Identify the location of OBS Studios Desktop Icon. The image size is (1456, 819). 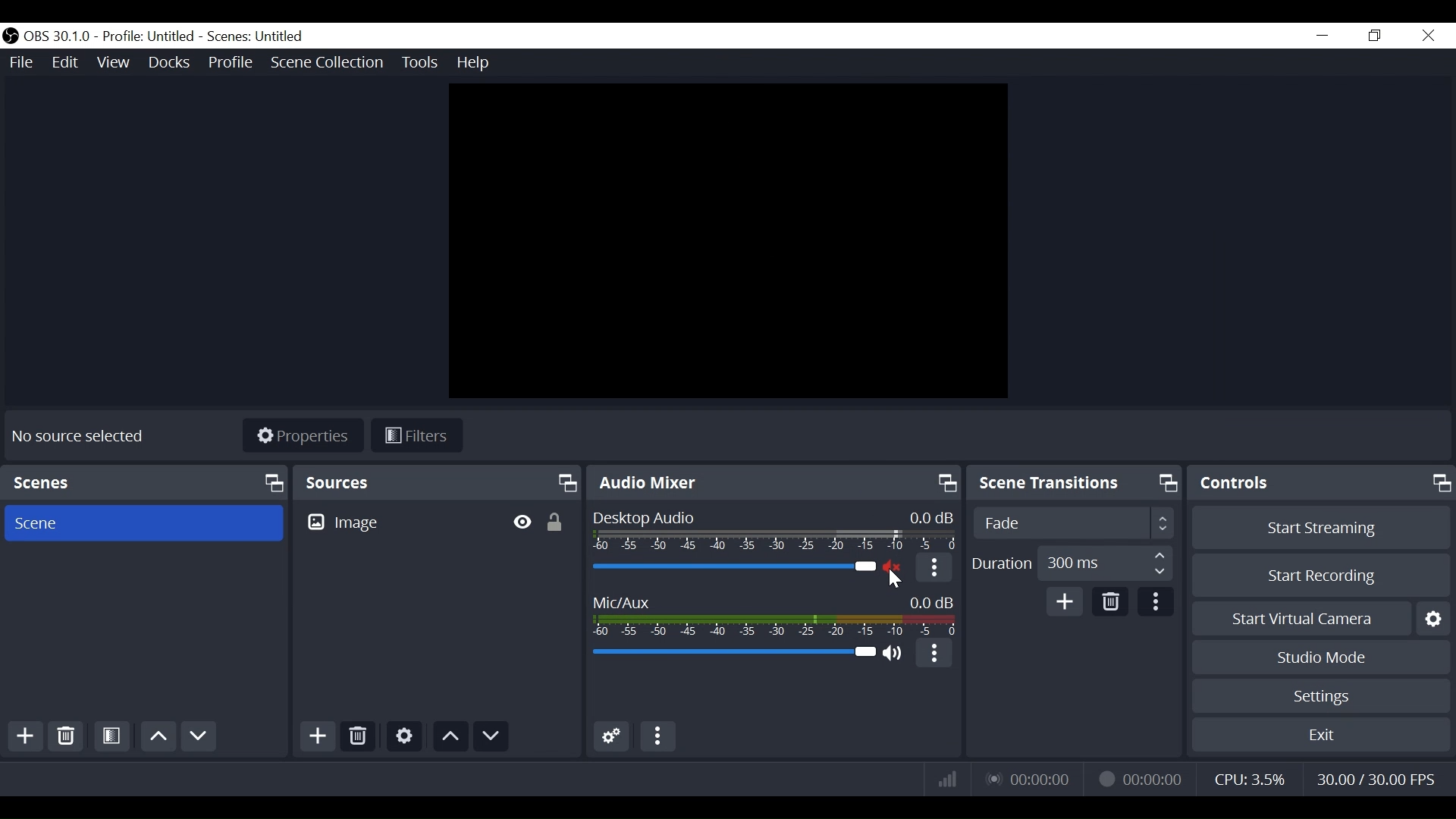
(11, 36).